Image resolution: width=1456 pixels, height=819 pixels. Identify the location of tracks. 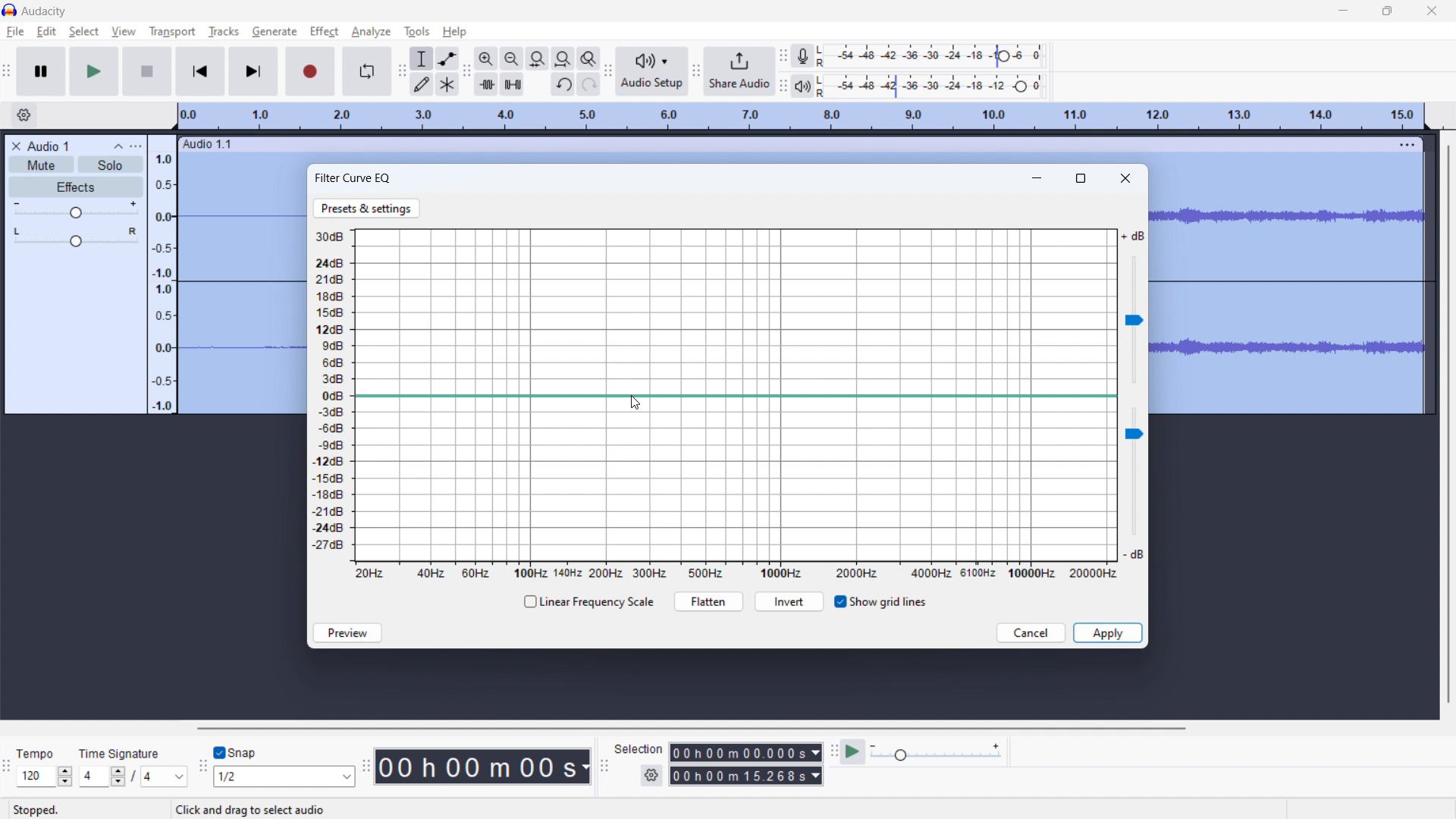
(224, 32).